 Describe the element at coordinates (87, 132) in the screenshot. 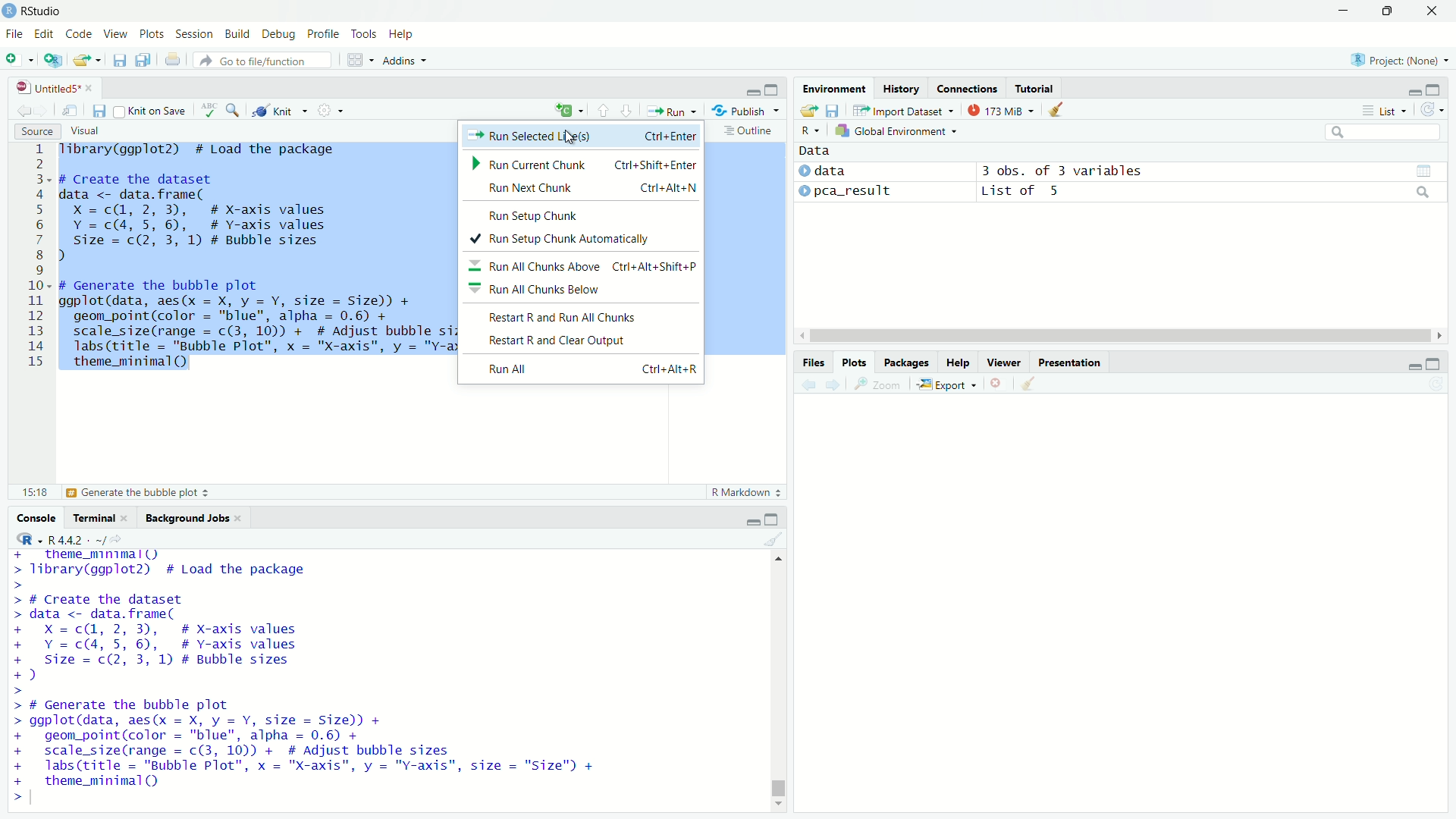

I see `visual` at that location.